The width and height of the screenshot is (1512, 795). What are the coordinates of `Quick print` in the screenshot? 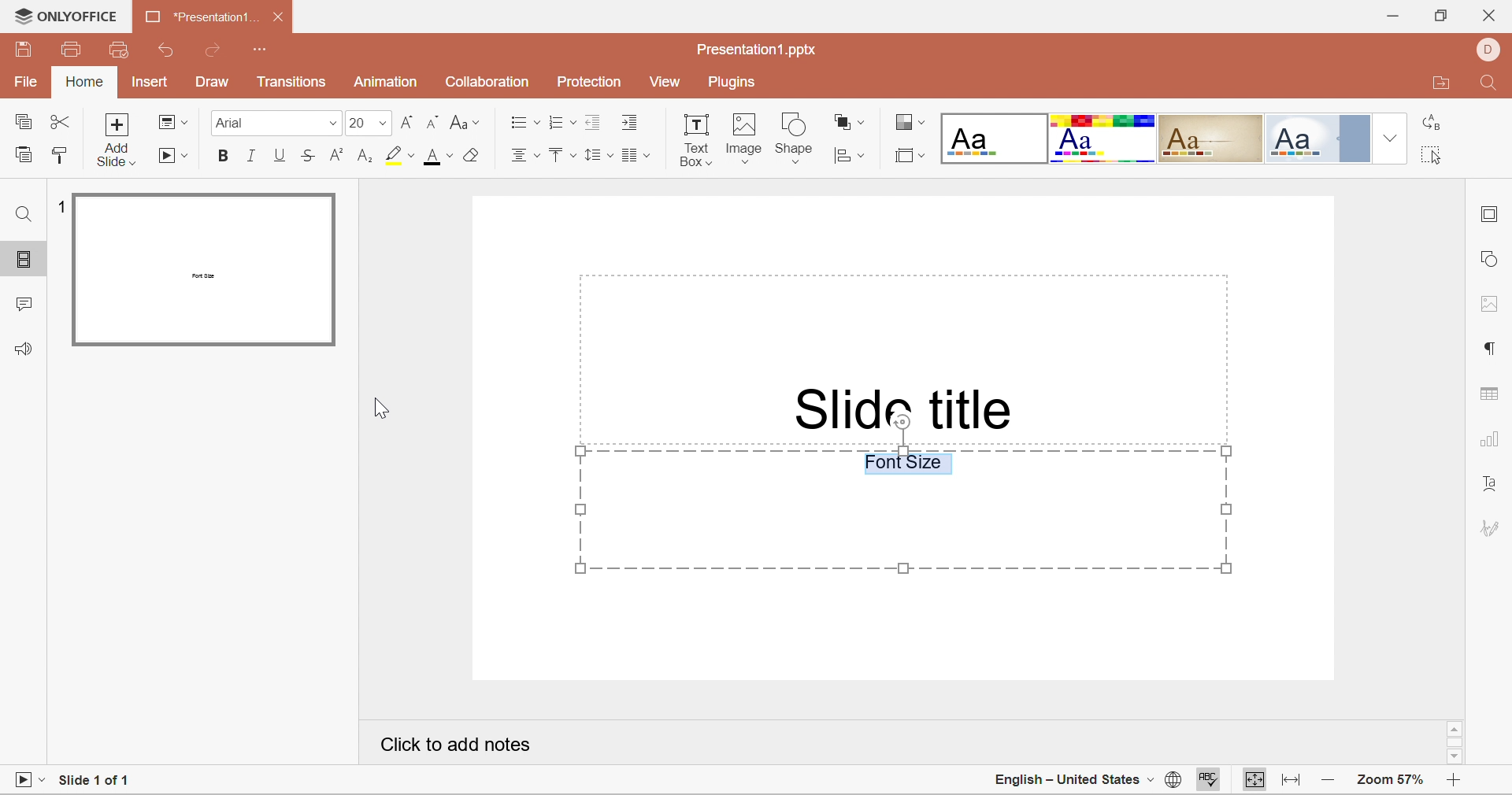 It's located at (119, 48).